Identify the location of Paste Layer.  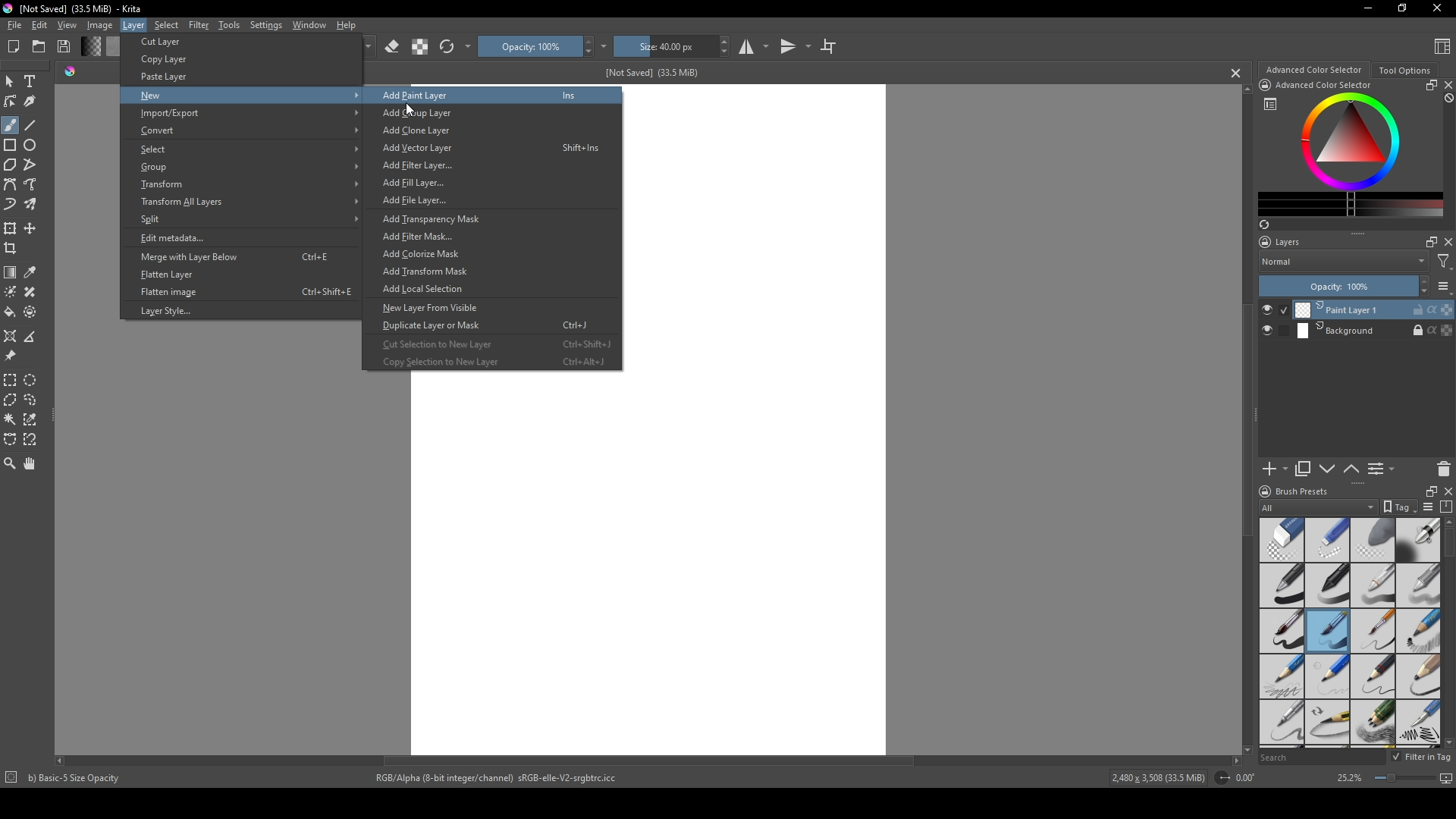
(171, 77).